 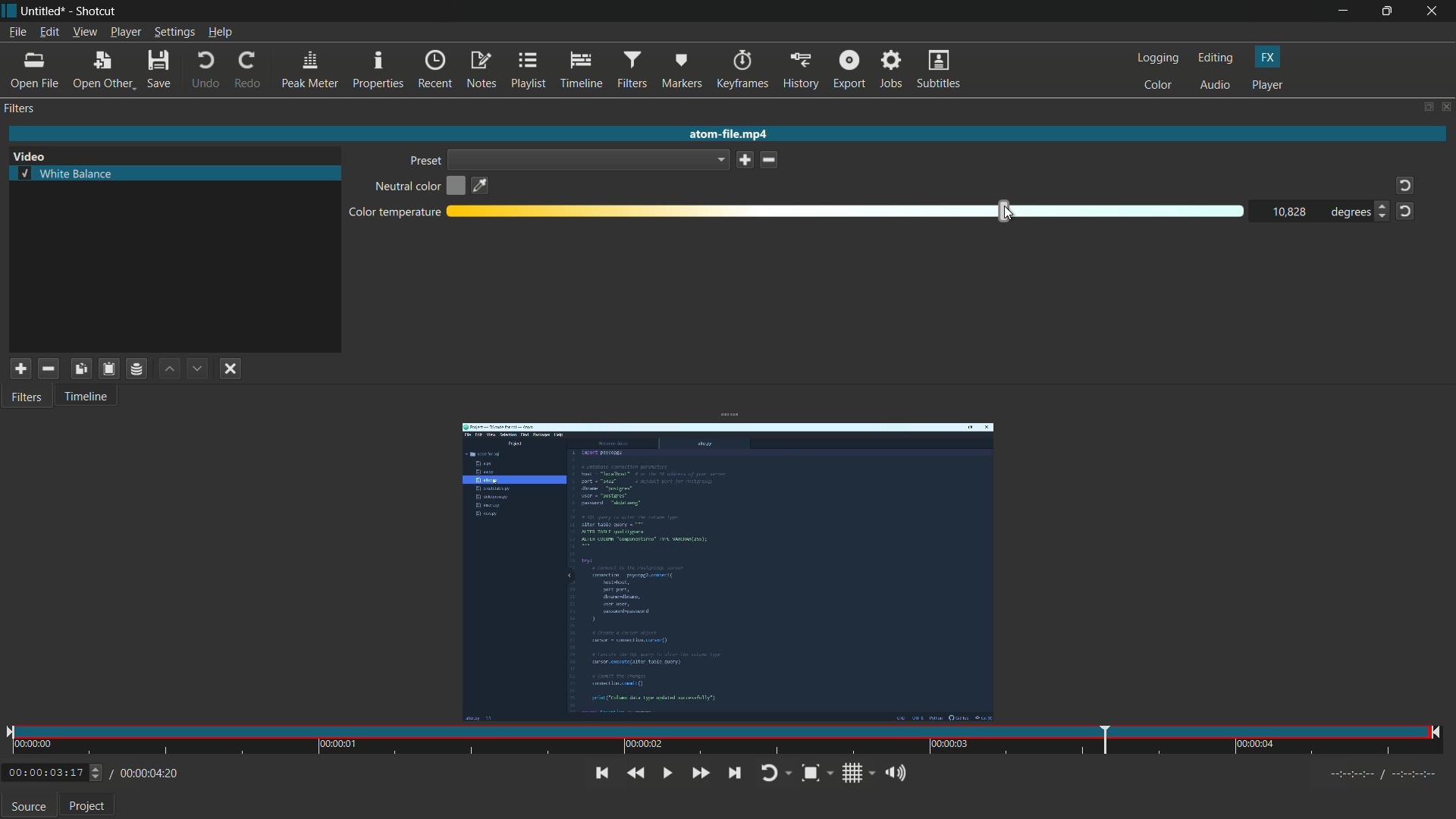 What do you see at coordinates (146, 771) in the screenshot?
I see ` / 00:00:04:20 (total time)` at bounding box center [146, 771].